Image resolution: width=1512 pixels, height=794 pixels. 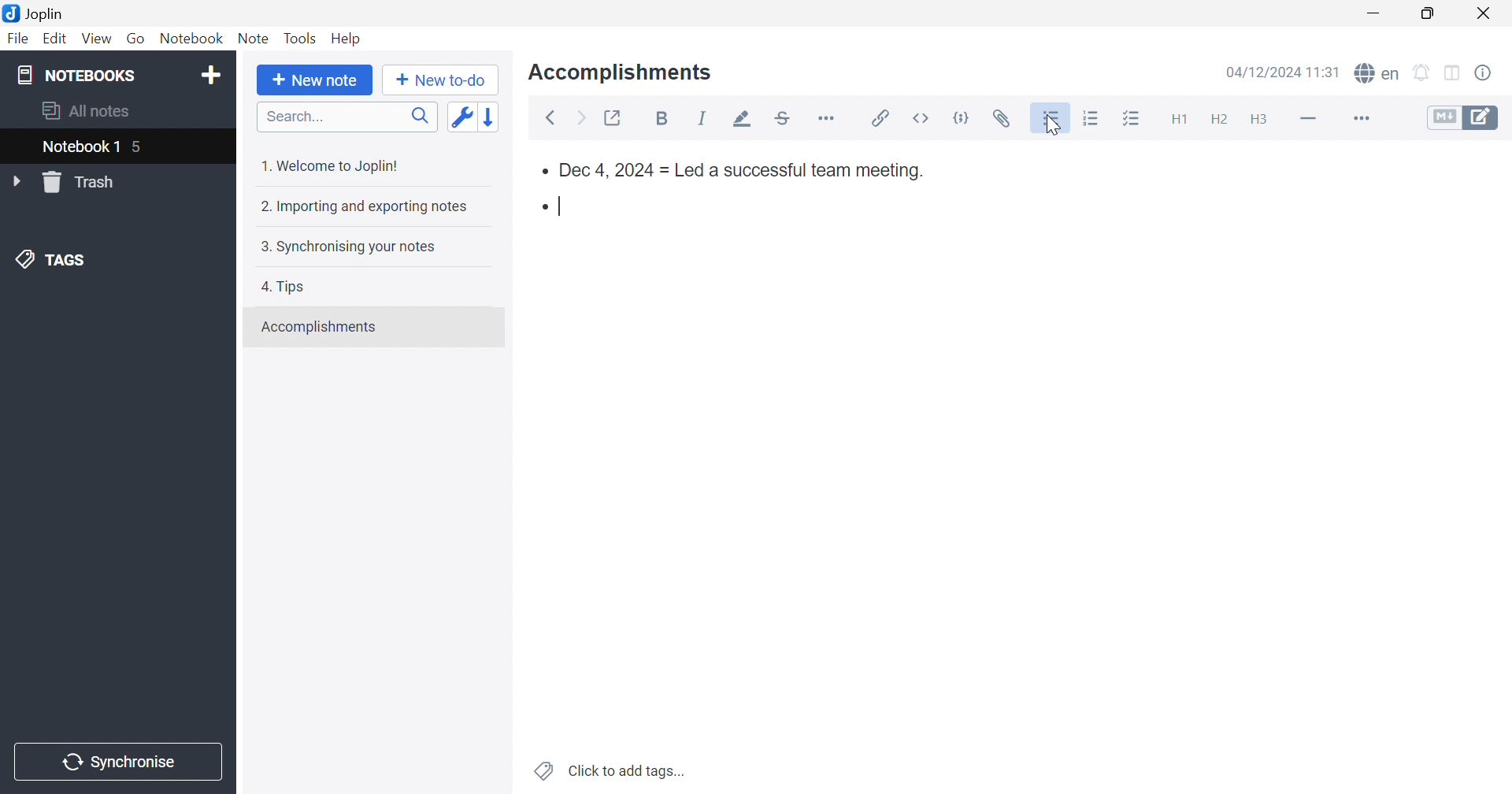 I want to click on Drop Down, so click(x=17, y=180).